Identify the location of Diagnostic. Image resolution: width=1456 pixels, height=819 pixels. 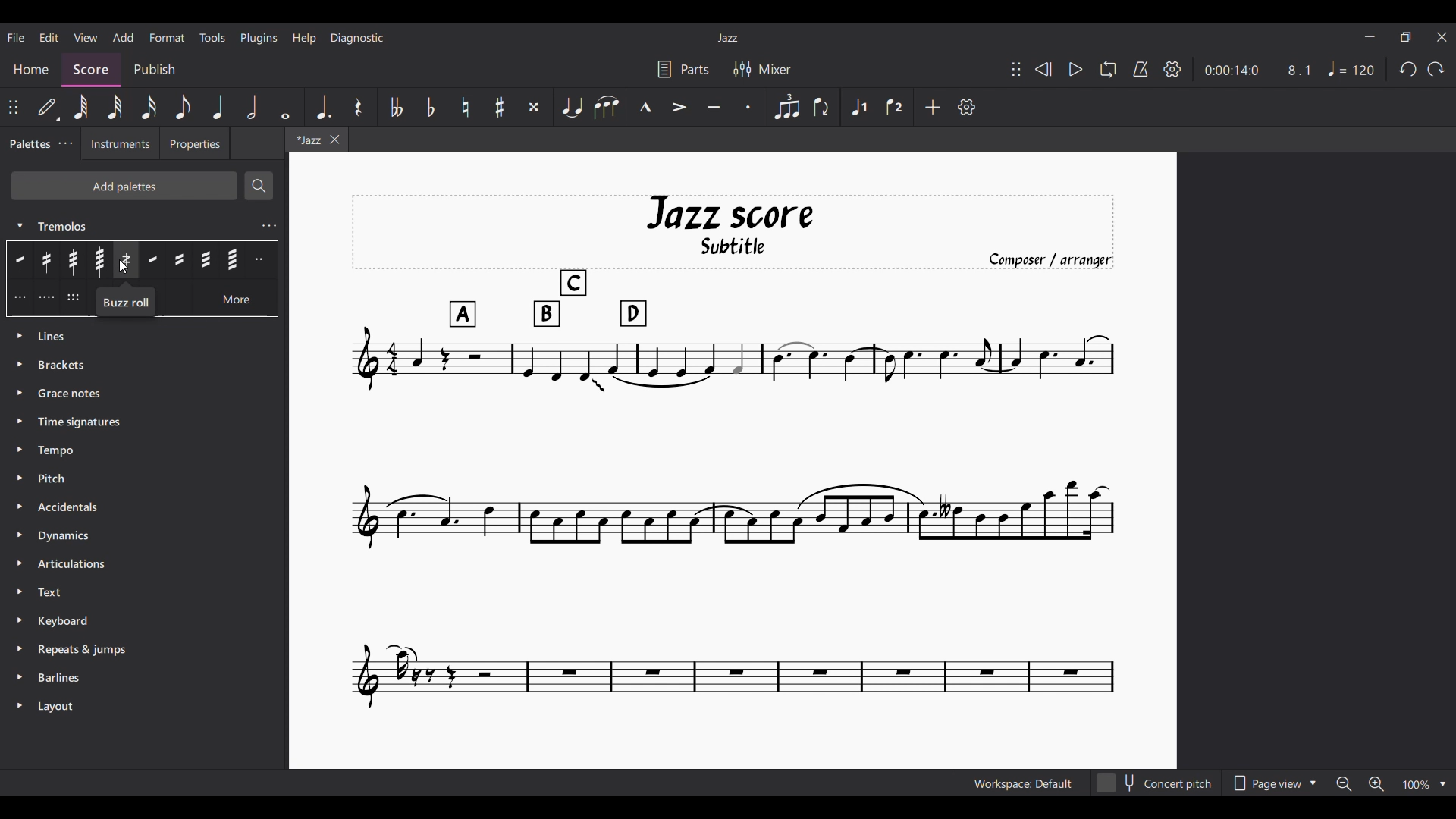
(357, 39).